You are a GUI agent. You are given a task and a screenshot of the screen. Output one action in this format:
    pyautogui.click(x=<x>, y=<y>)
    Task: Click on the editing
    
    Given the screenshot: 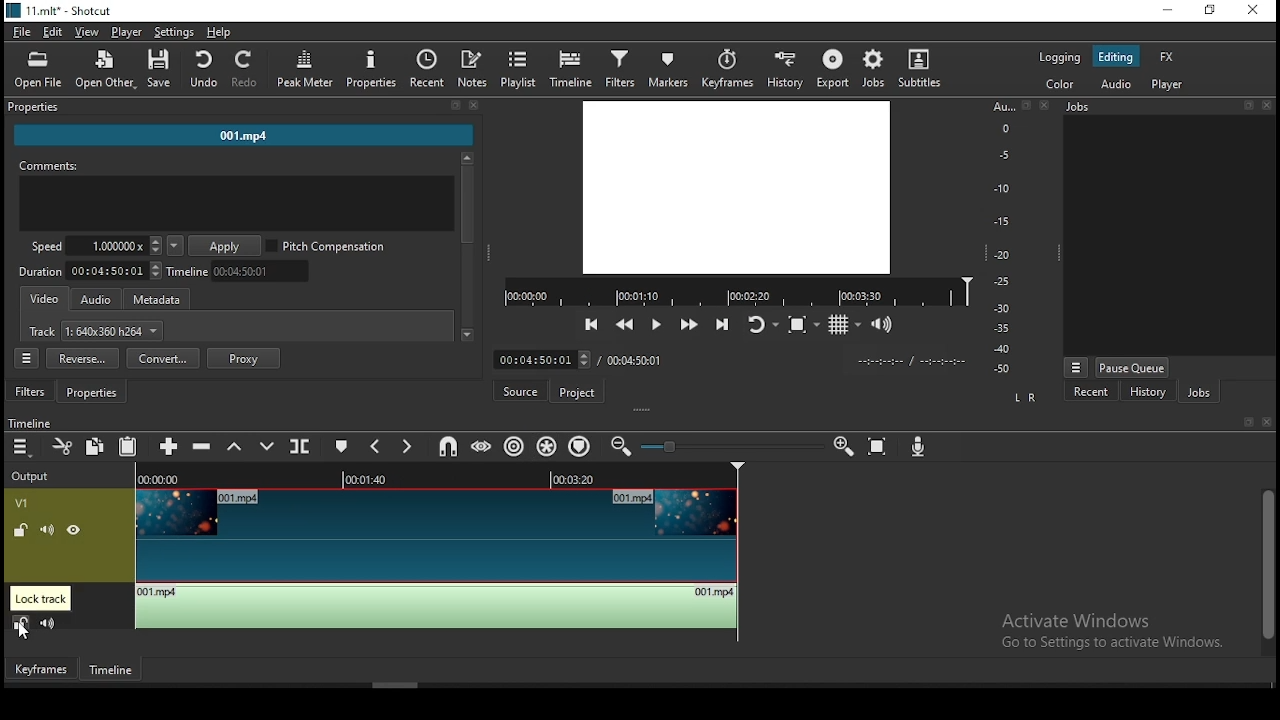 What is the action you would take?
    pyautogui.click(x=1115, y=56)
    